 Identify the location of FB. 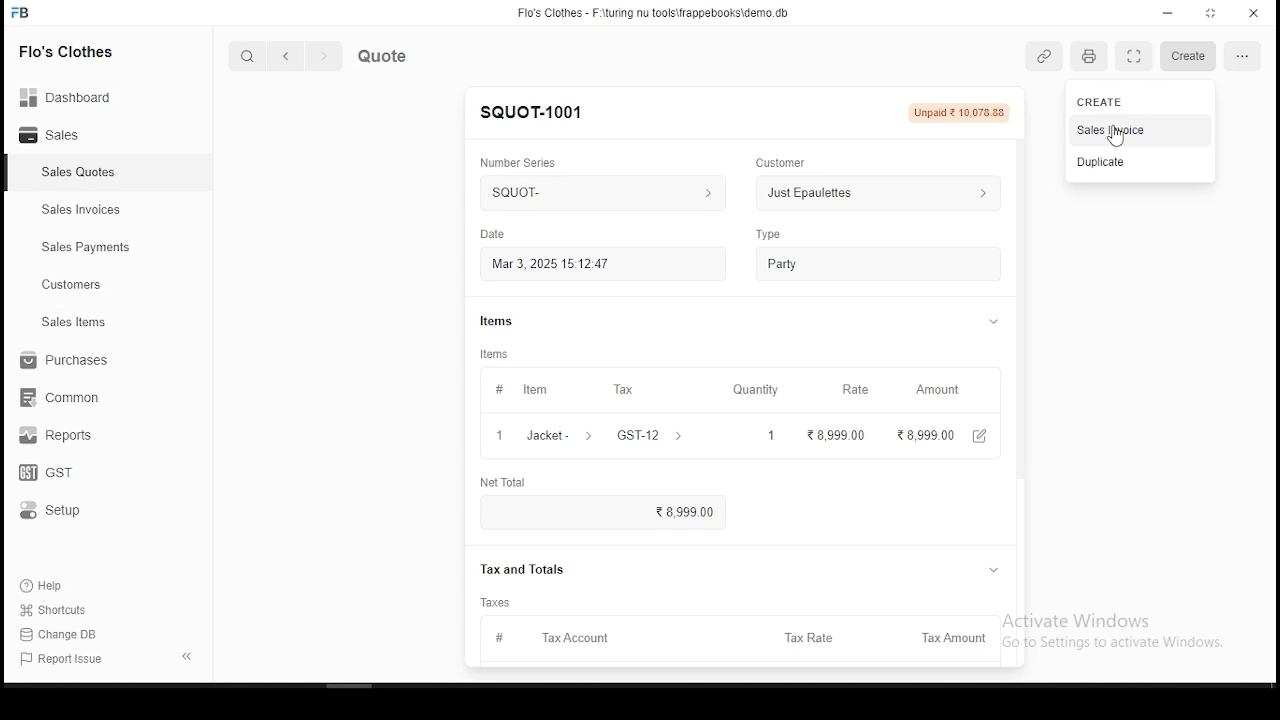
(35, 12).